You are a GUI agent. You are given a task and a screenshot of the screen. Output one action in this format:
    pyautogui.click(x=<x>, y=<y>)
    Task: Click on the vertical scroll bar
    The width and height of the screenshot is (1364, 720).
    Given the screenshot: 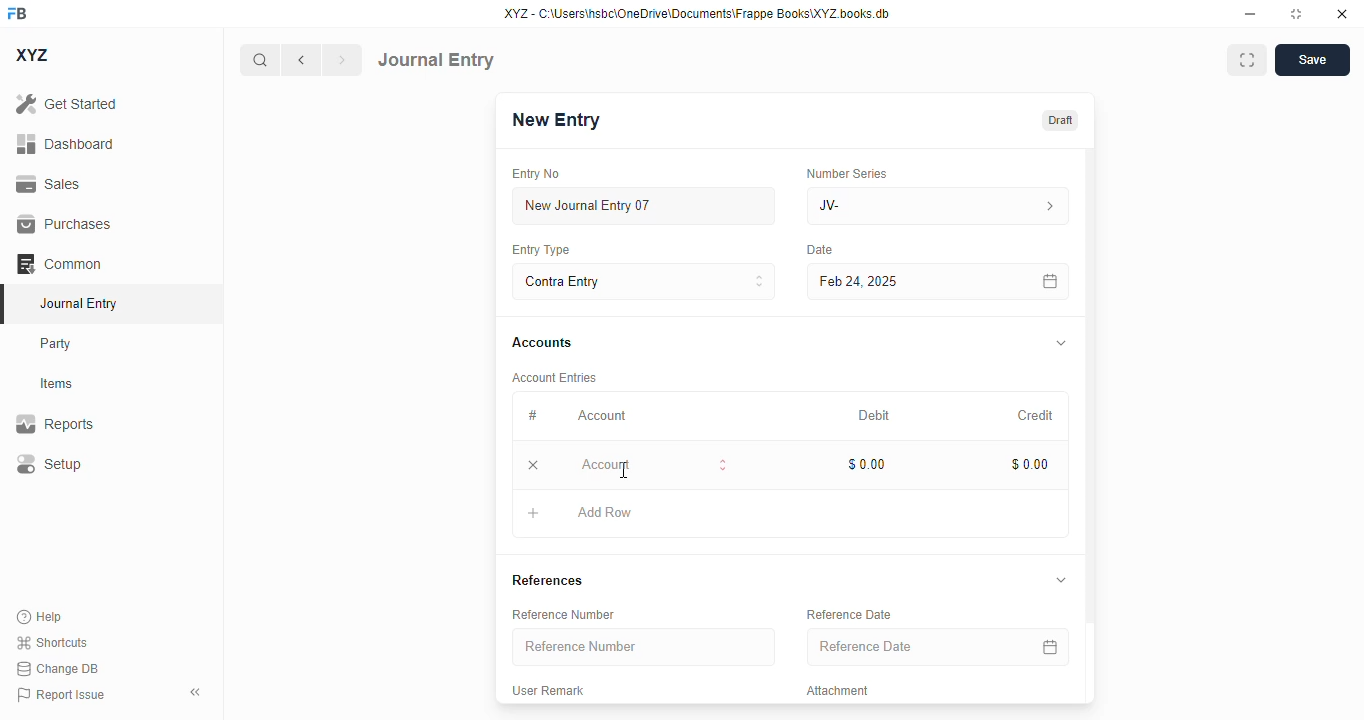 What is the action you would take?
    pyautogui.click(x=1090, y=426)
    